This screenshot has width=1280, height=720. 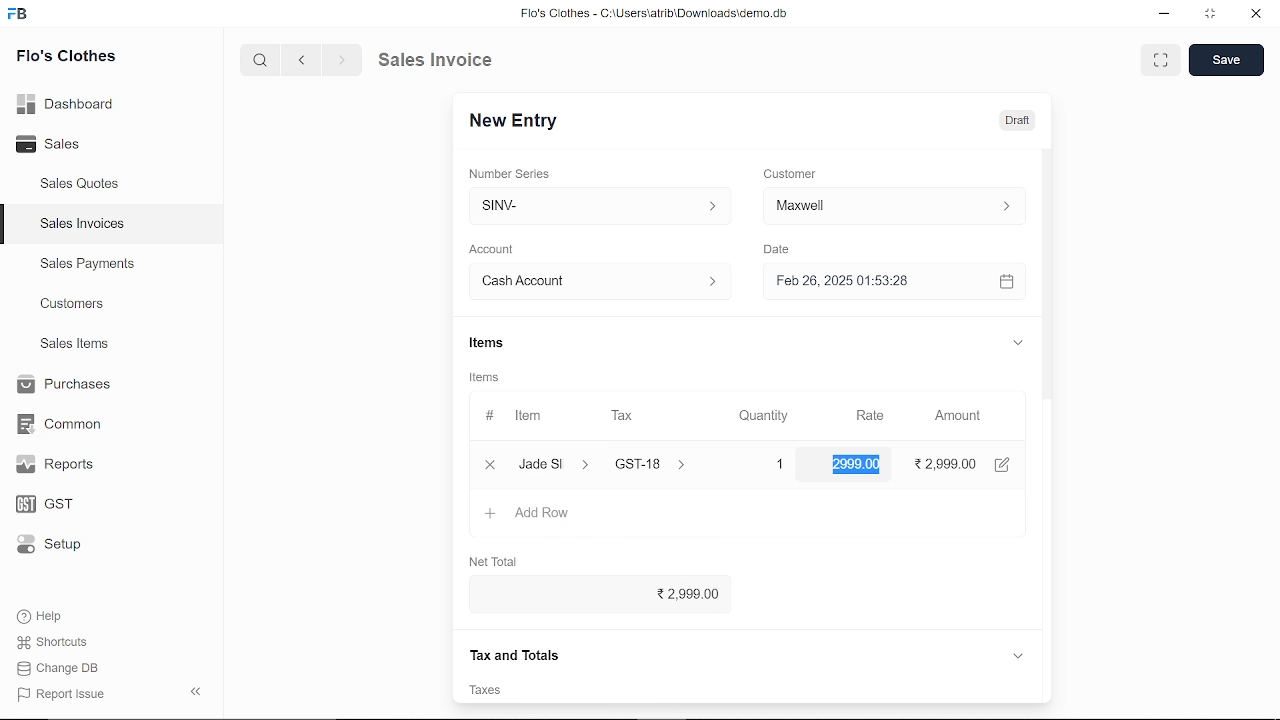 I want to click on Sales, so click(x=70, y=145).